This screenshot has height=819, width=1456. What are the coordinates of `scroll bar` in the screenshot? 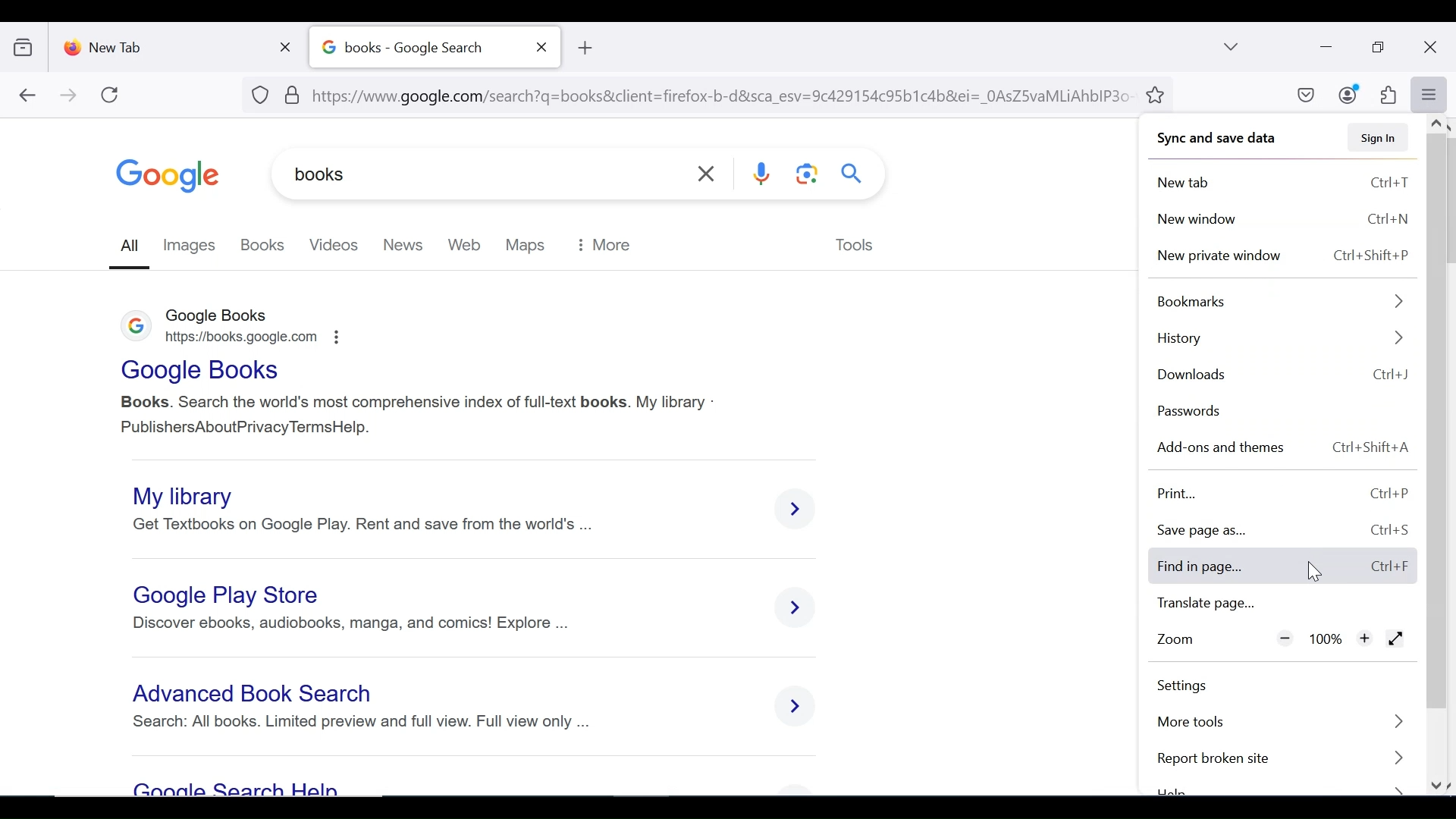 It's located at (1439, 458).